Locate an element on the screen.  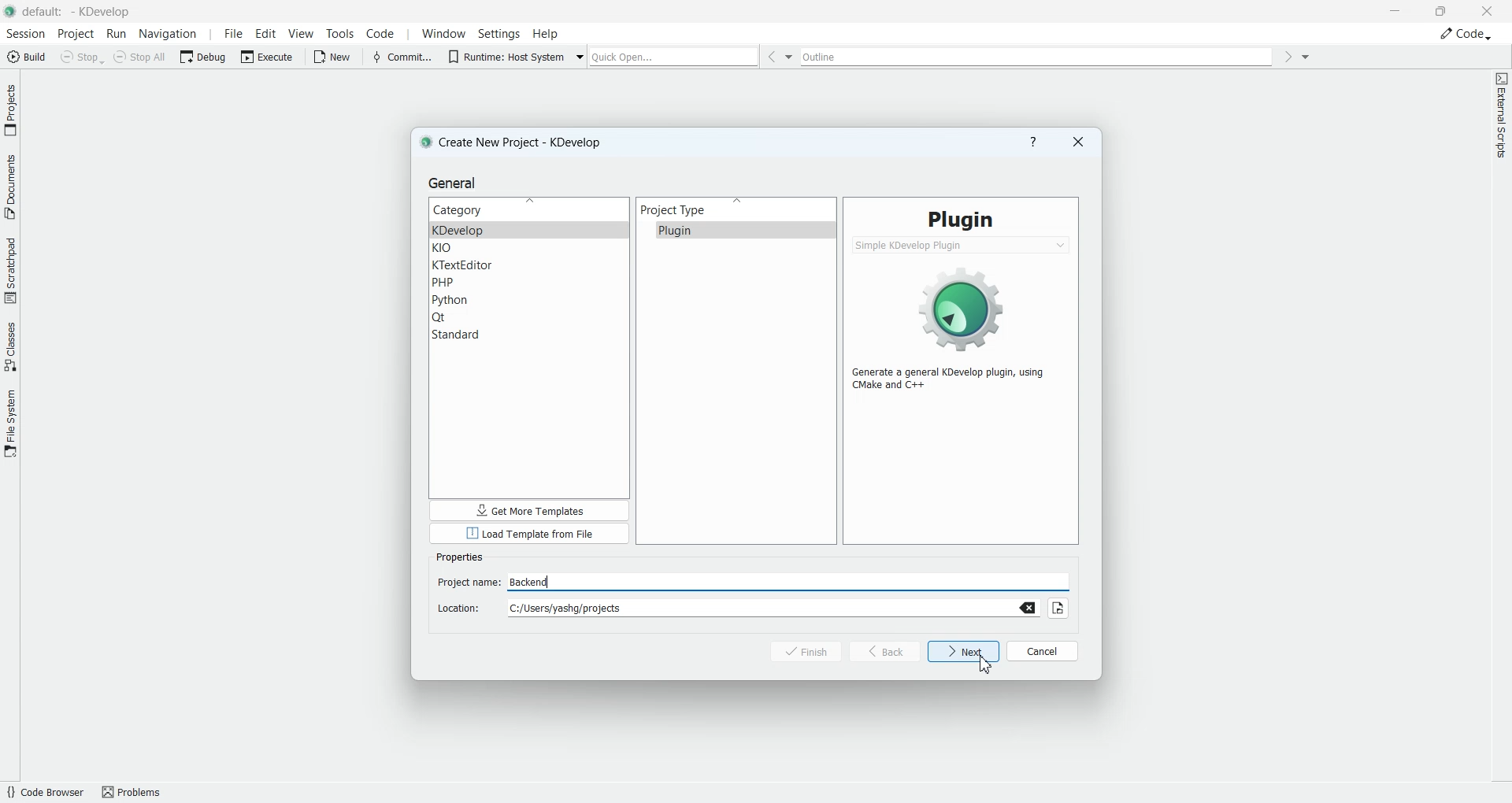
KTextEditor is located at coordinates (529, 265).